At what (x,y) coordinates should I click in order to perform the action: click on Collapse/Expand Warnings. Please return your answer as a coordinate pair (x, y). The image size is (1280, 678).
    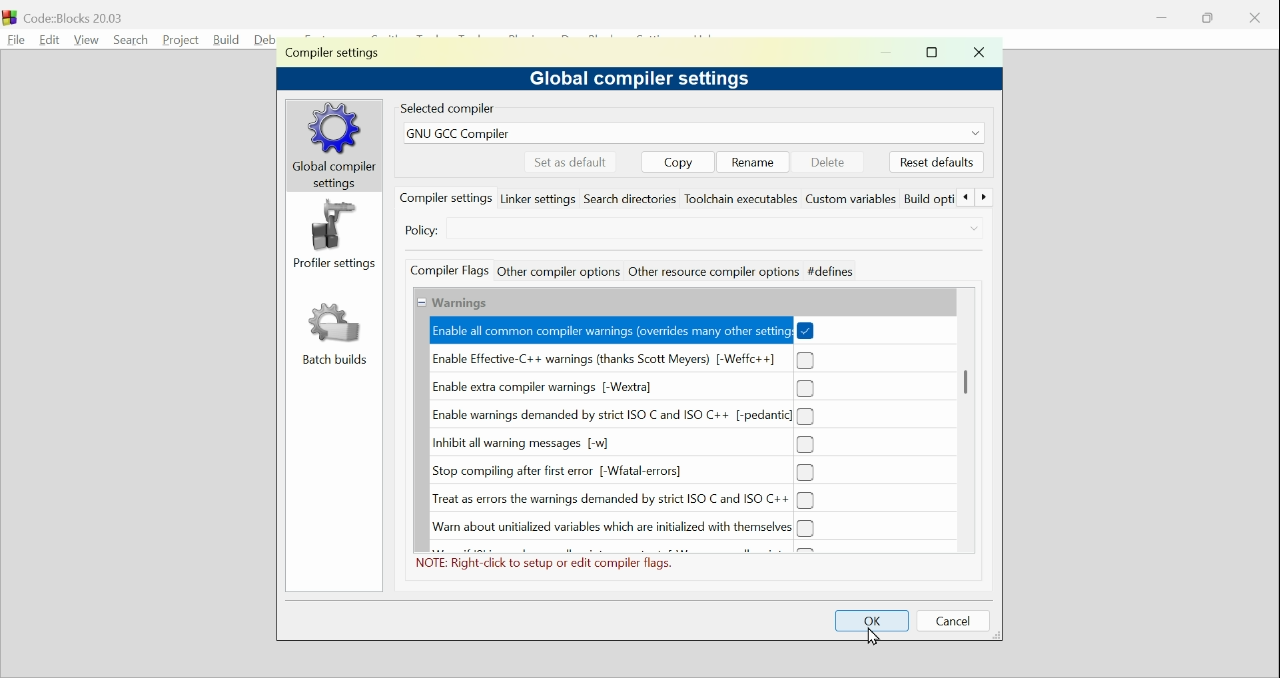
    Looking at the image, I should click on (453, 303).